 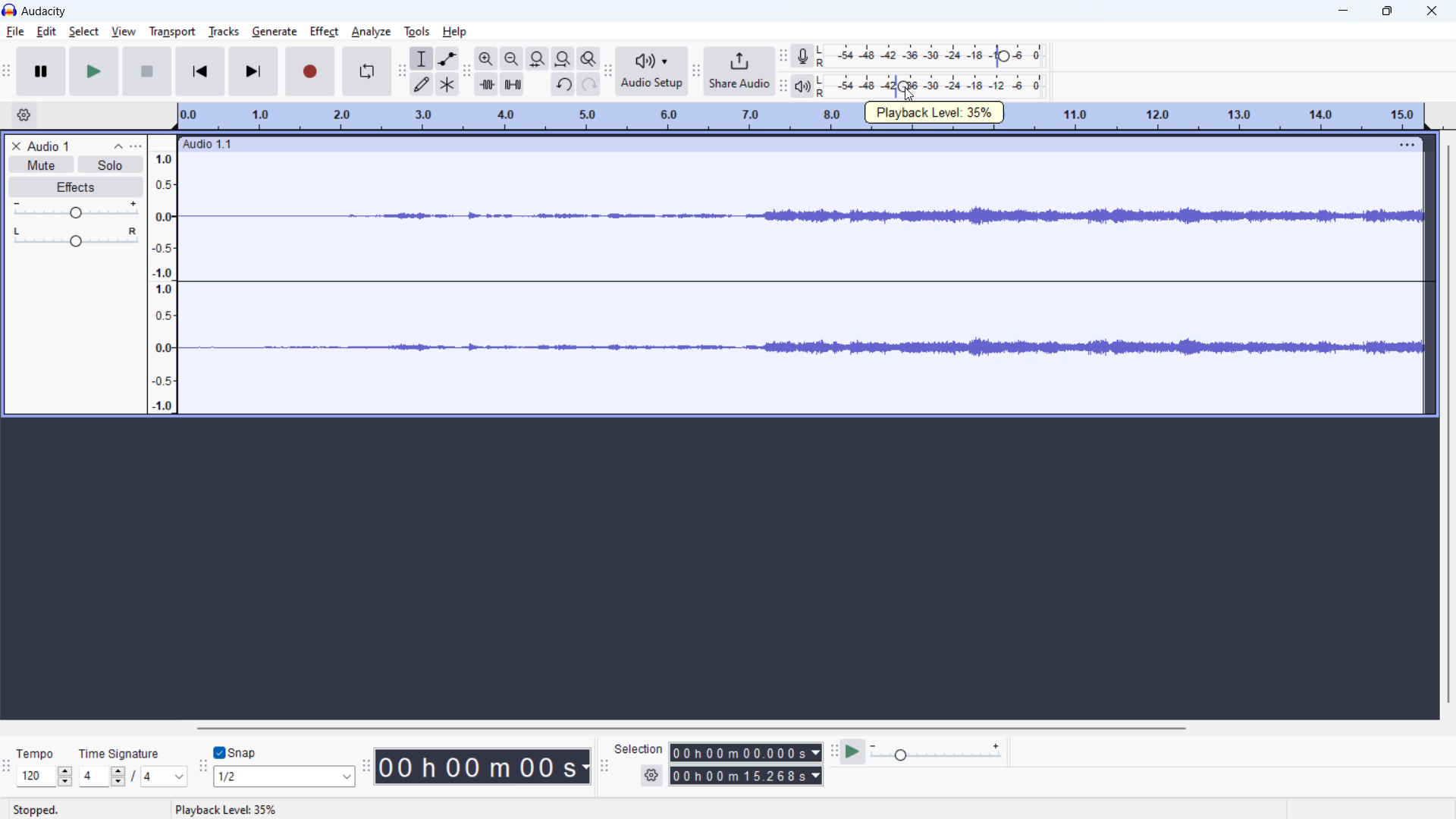 I want to click on waveform, so click(x=802, y=217).